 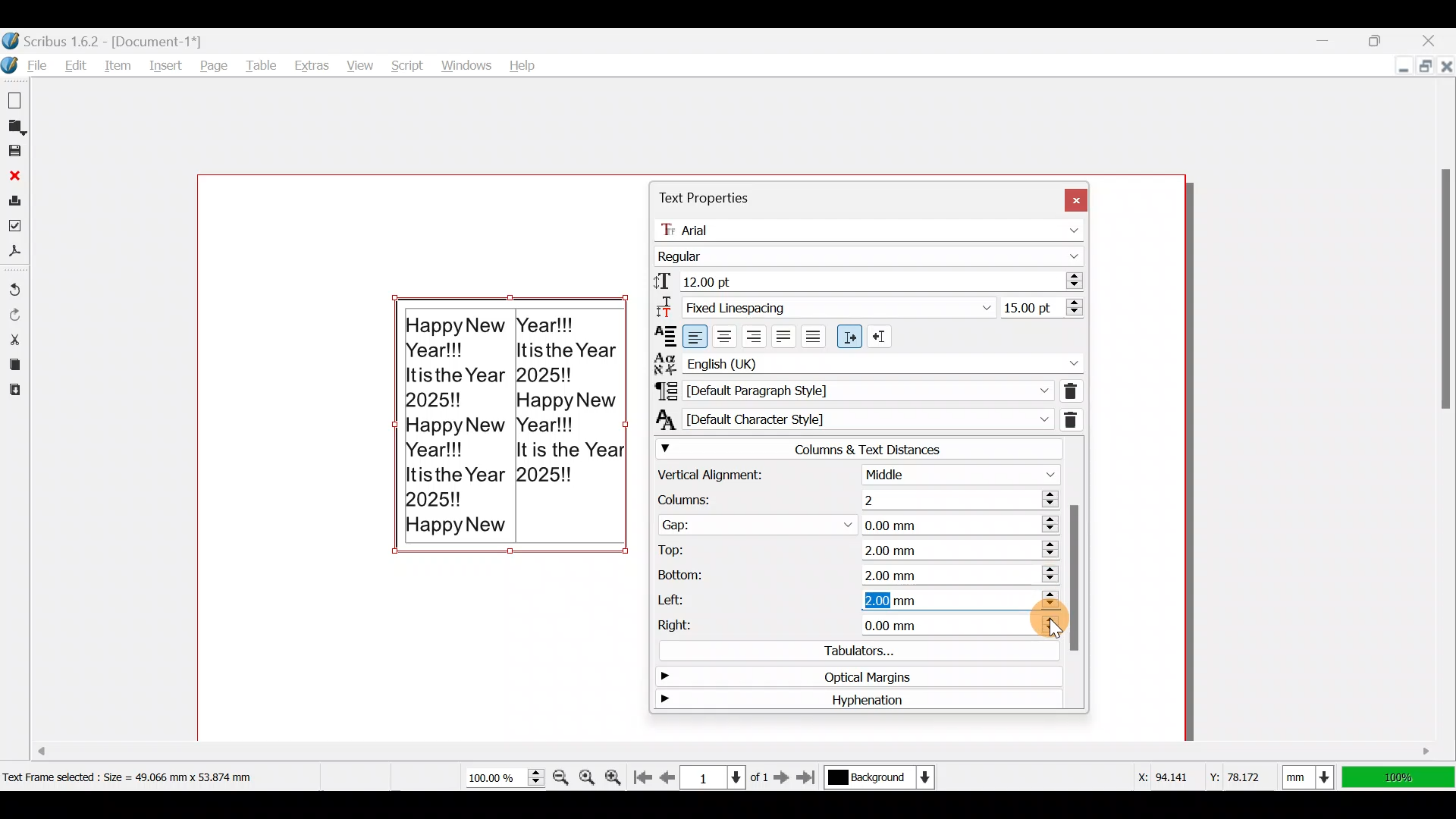 What do you see at coordinates (1165, 773) in the screenshot?
I see `X-axis dimension values` at bounding box center [1165, 773].